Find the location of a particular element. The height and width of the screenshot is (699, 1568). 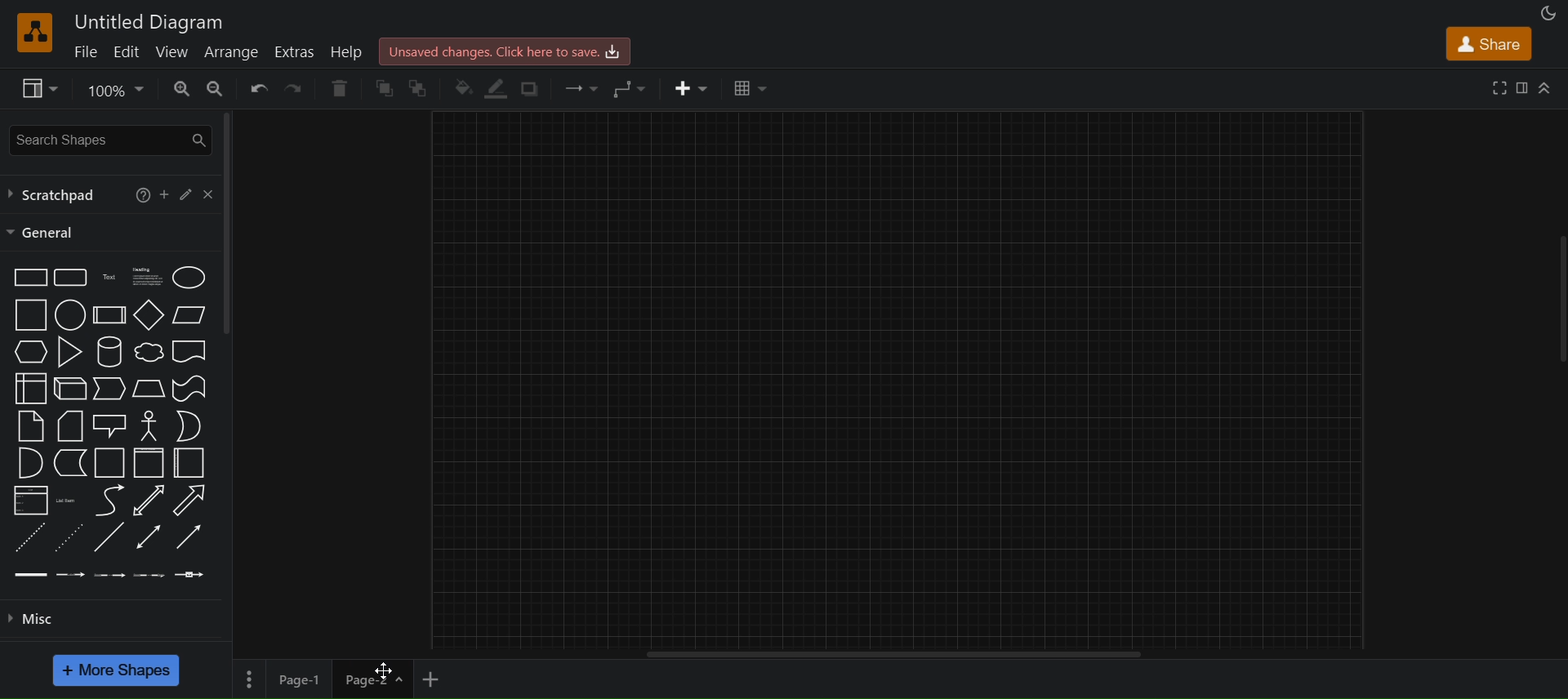

vertical container is located at coordinates (149, 462).